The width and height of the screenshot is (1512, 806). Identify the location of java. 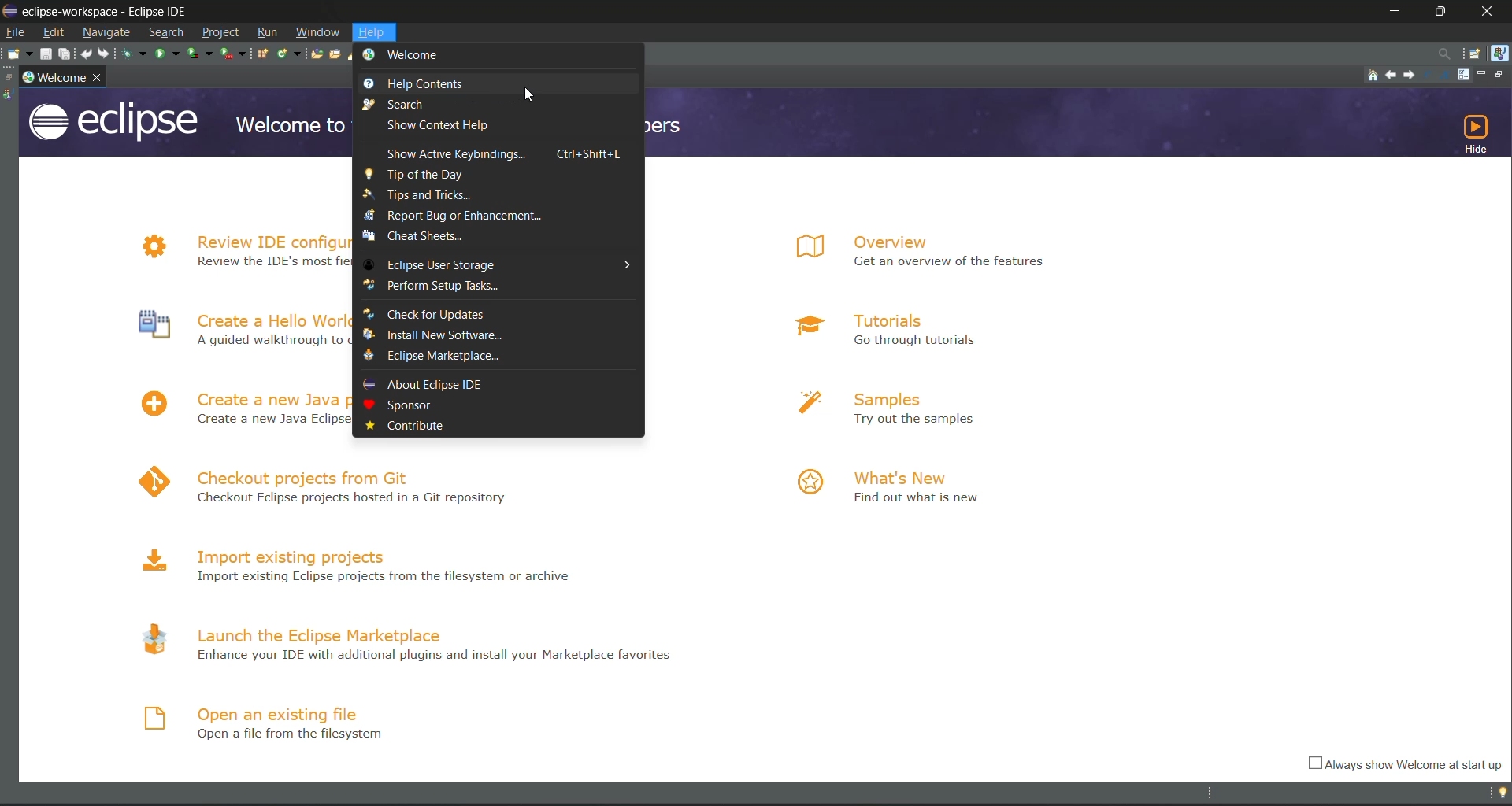
(1501, 53).